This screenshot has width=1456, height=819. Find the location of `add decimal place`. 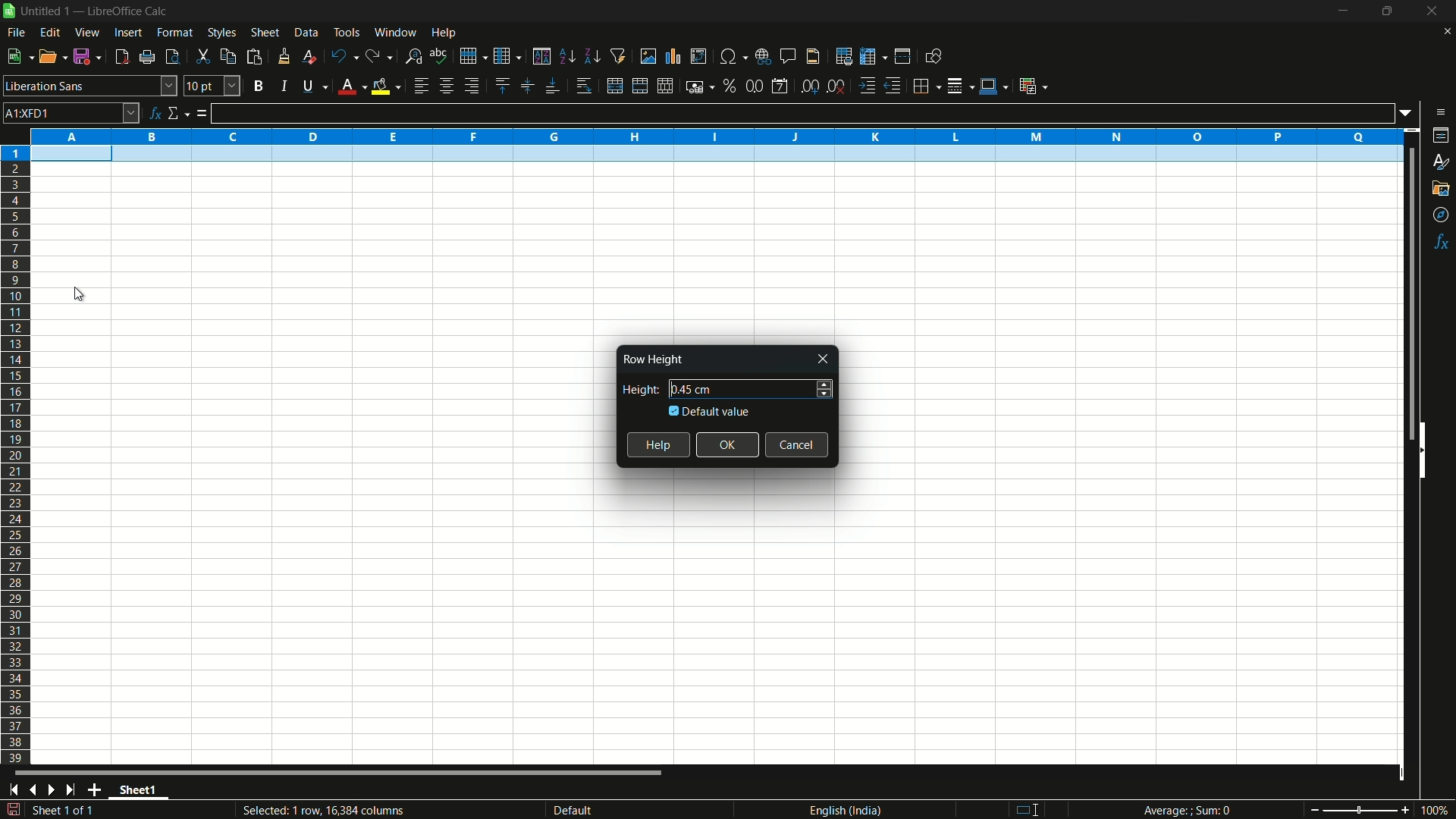

add decimal place is located at coordinates (812, 87).